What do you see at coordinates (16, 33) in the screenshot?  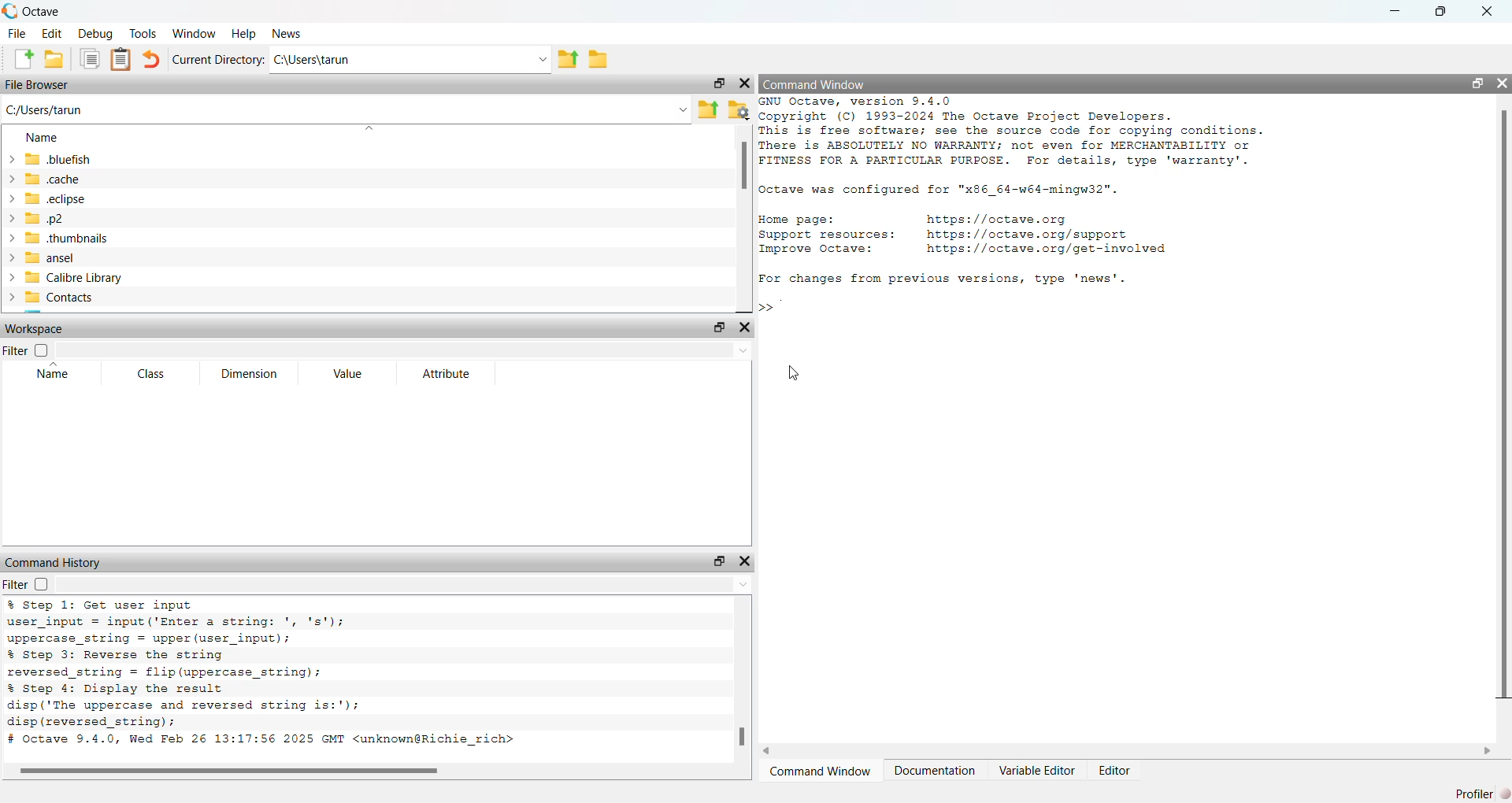 I see `file` at bounding box center [16, 33].